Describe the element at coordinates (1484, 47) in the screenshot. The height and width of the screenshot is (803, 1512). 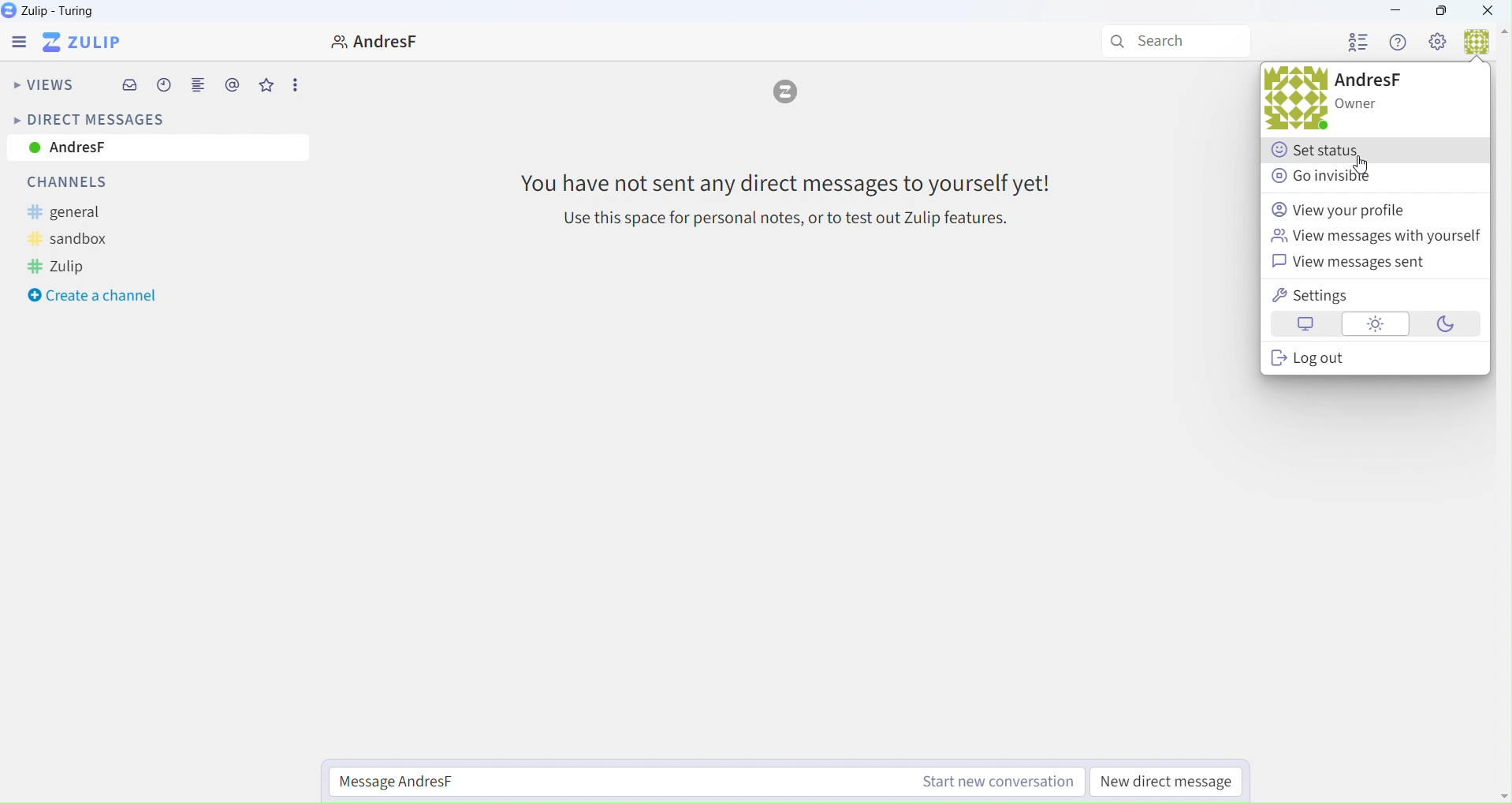
I see `User` at that location.